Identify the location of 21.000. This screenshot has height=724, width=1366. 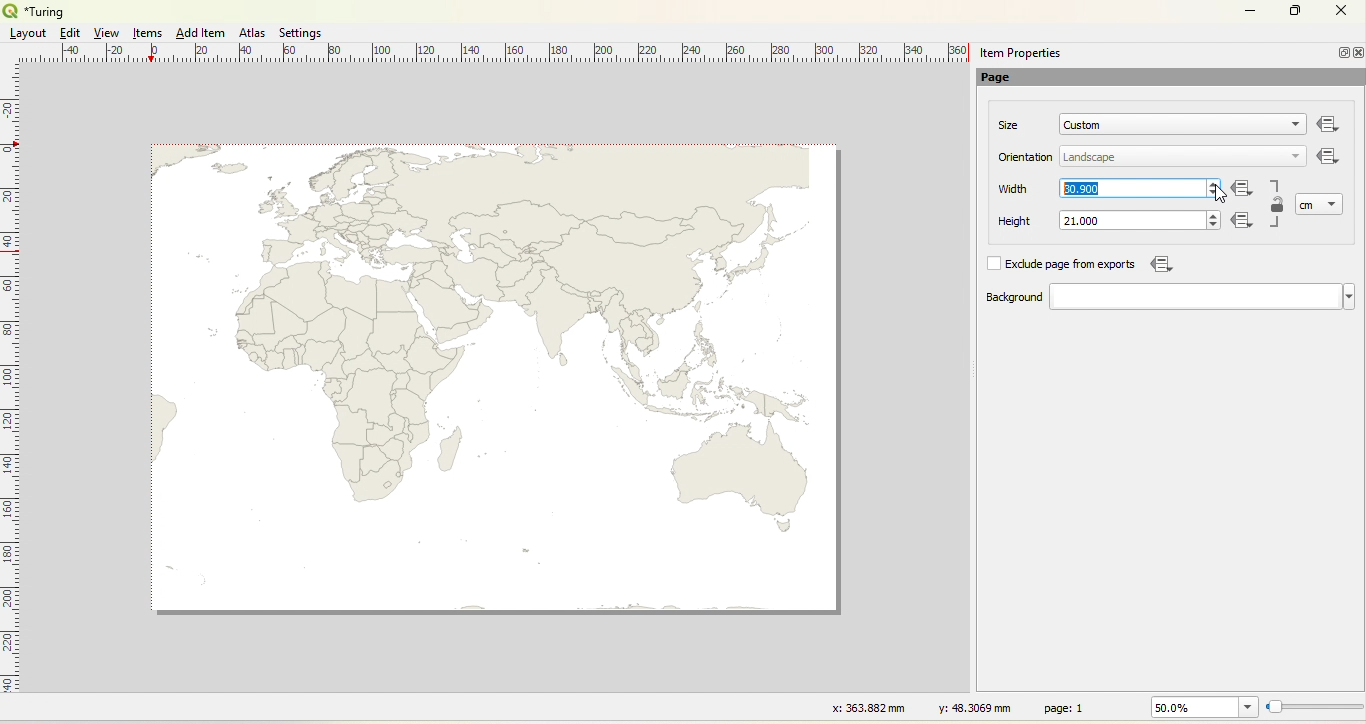
(1081, 221).